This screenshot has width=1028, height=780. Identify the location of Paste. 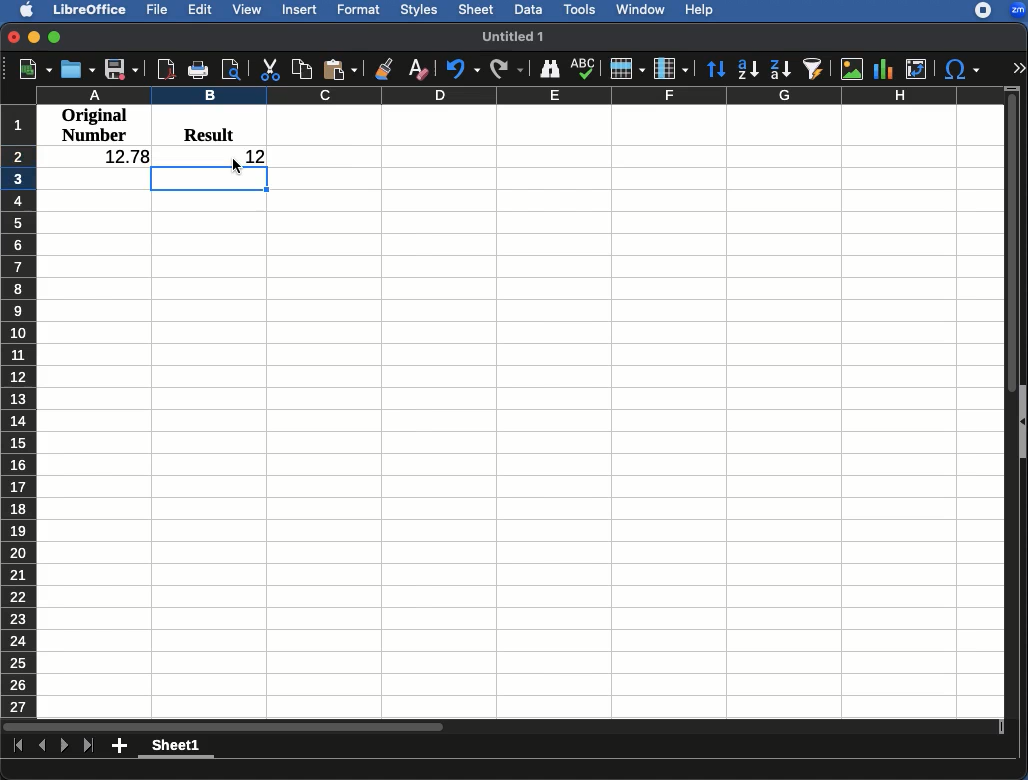
(341, 66).